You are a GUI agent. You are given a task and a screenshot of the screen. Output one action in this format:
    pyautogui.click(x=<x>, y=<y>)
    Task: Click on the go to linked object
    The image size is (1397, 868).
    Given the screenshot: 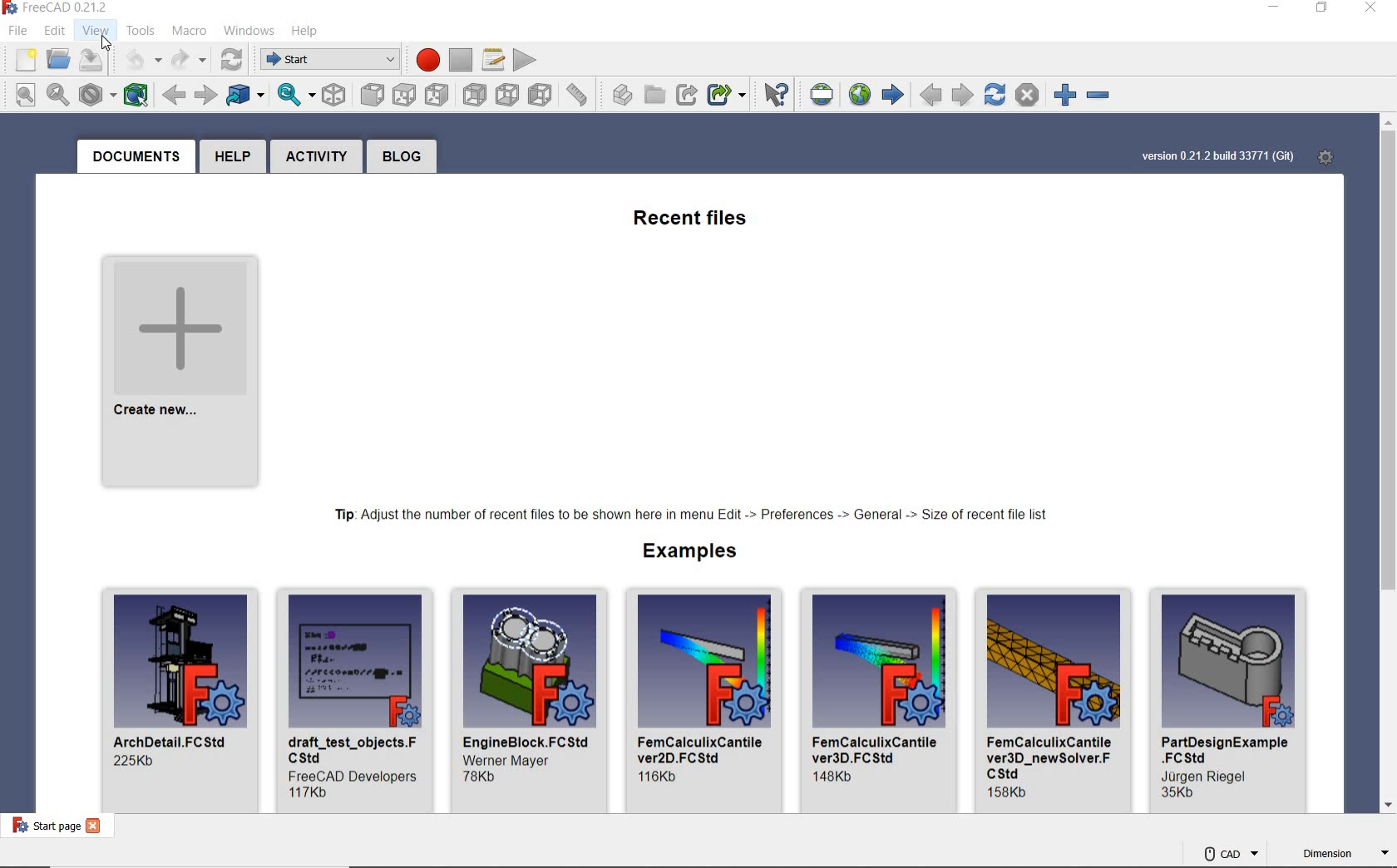 What is the action you would take?
    pyautogui.click(x=245, y=96)
    